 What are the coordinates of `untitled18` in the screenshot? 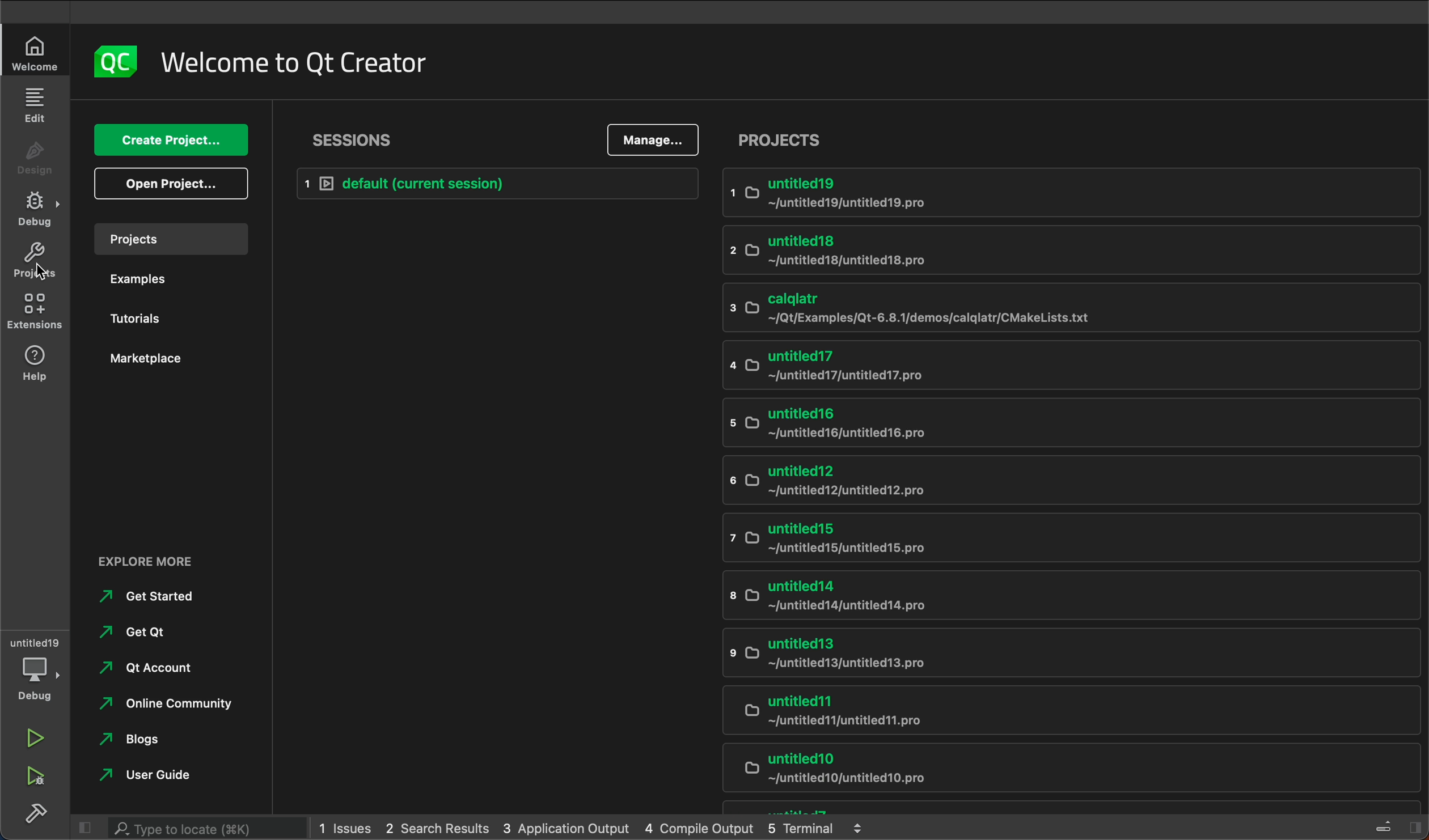 It's located at (1067, 249).